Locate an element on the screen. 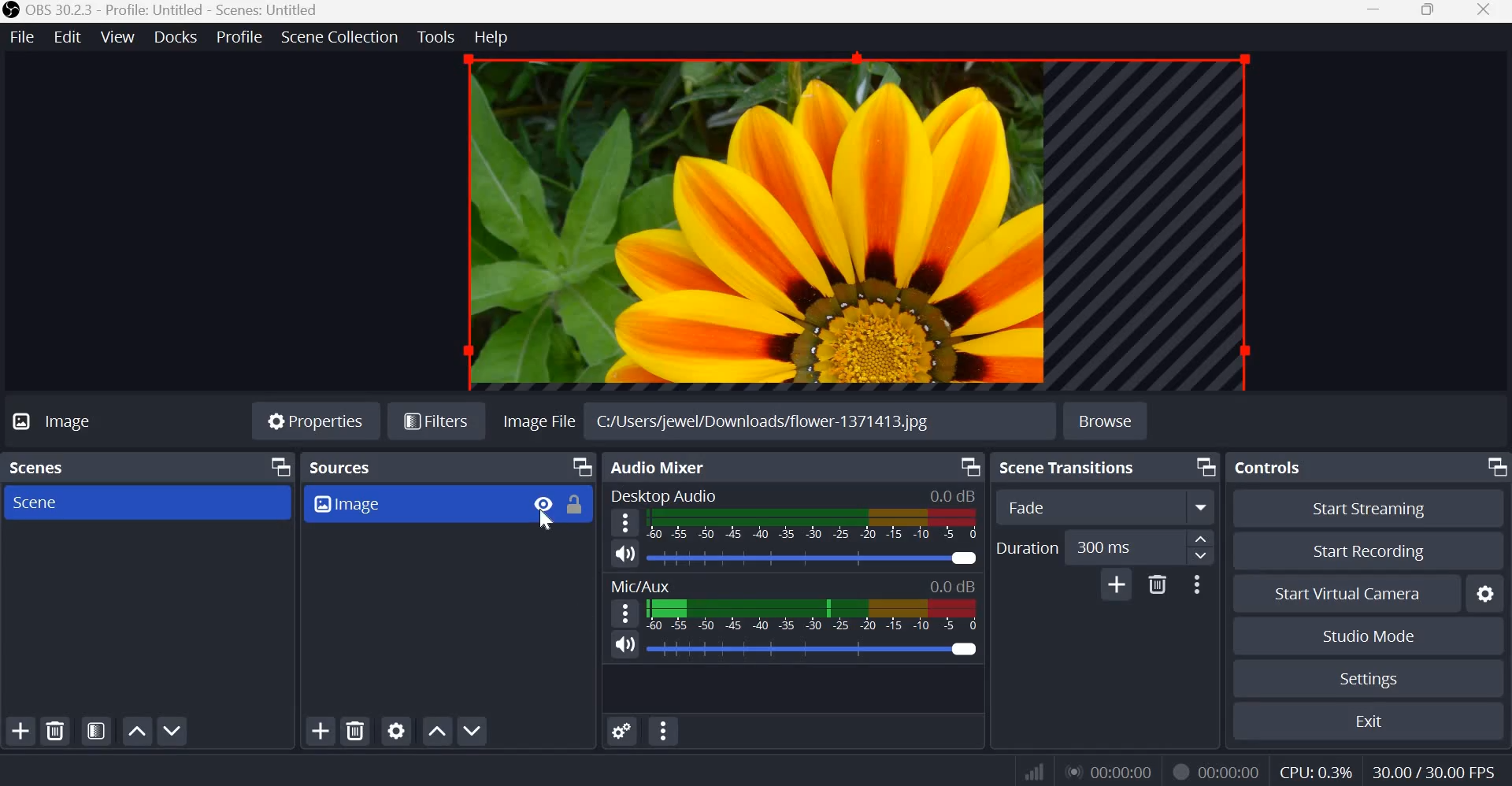 Image resolution: width=1512 pixels, height=786 pixels. Transition Type Dropdown is located at coordinates (1105, 507).